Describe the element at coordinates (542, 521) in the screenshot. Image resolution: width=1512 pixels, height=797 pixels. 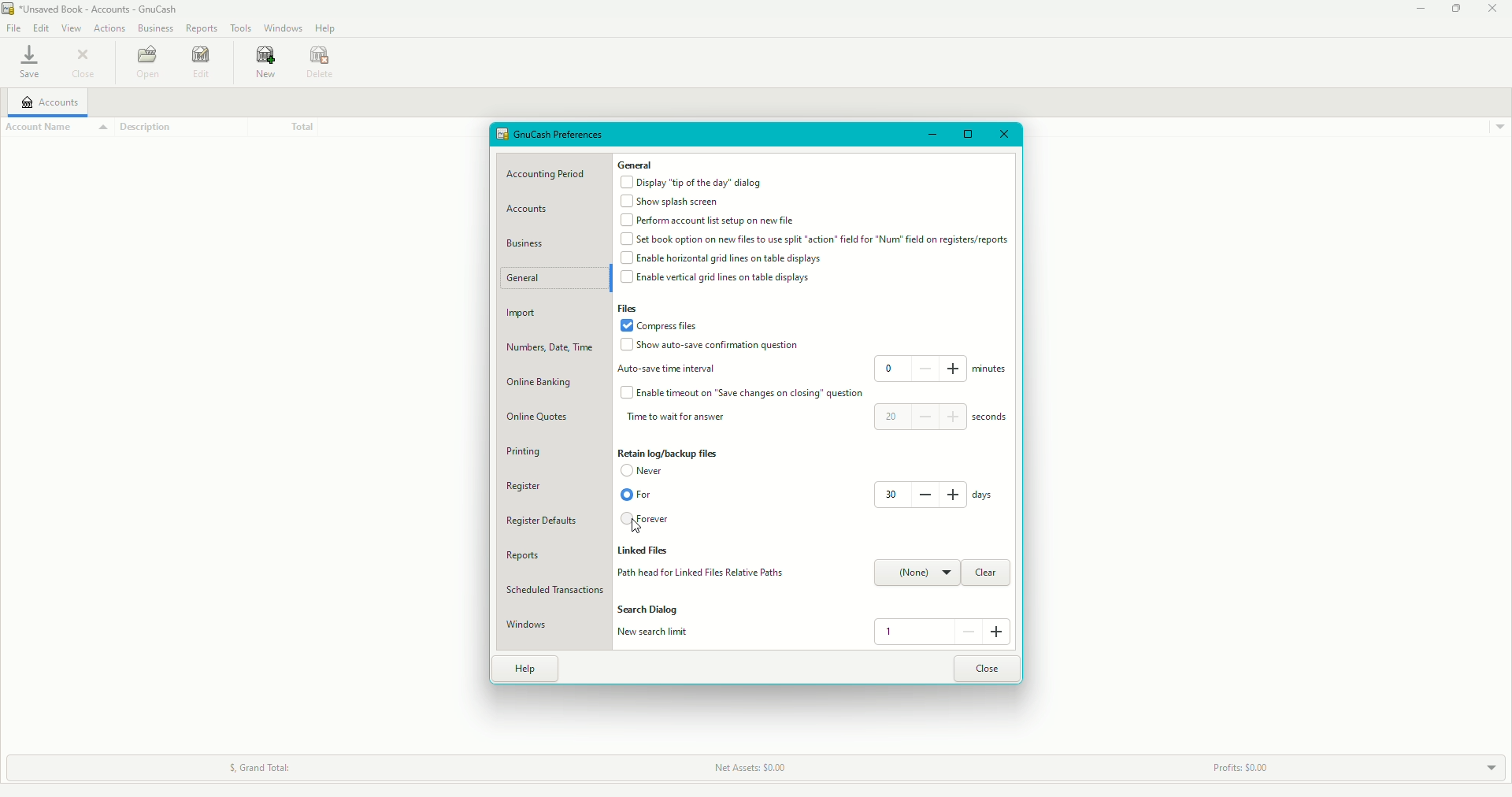
I see `Register Defaults` at that location.